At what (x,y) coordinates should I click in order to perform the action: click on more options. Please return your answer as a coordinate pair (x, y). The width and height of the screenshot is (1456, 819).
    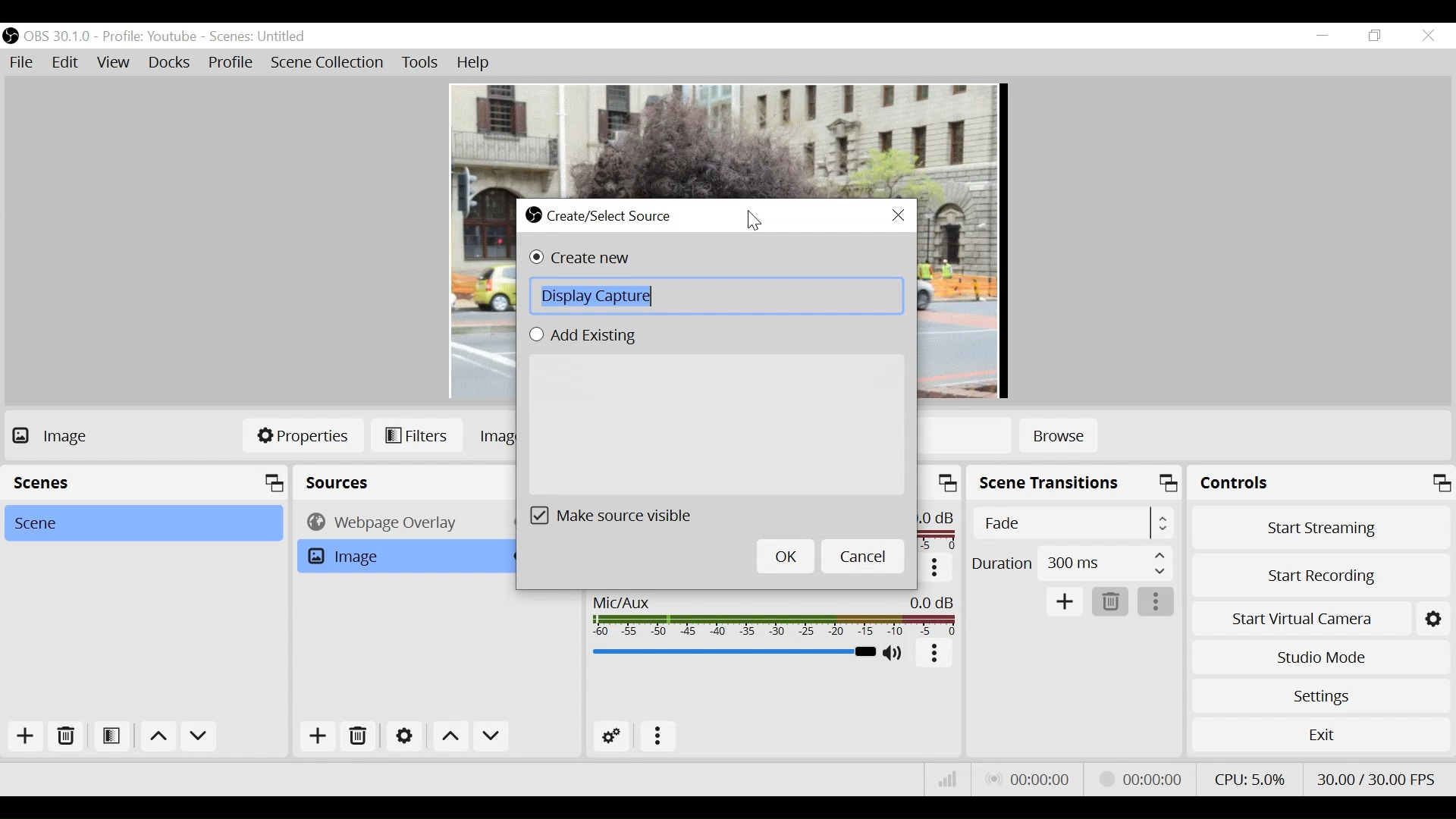
    Looking at the image, I should click on (1156, 602).